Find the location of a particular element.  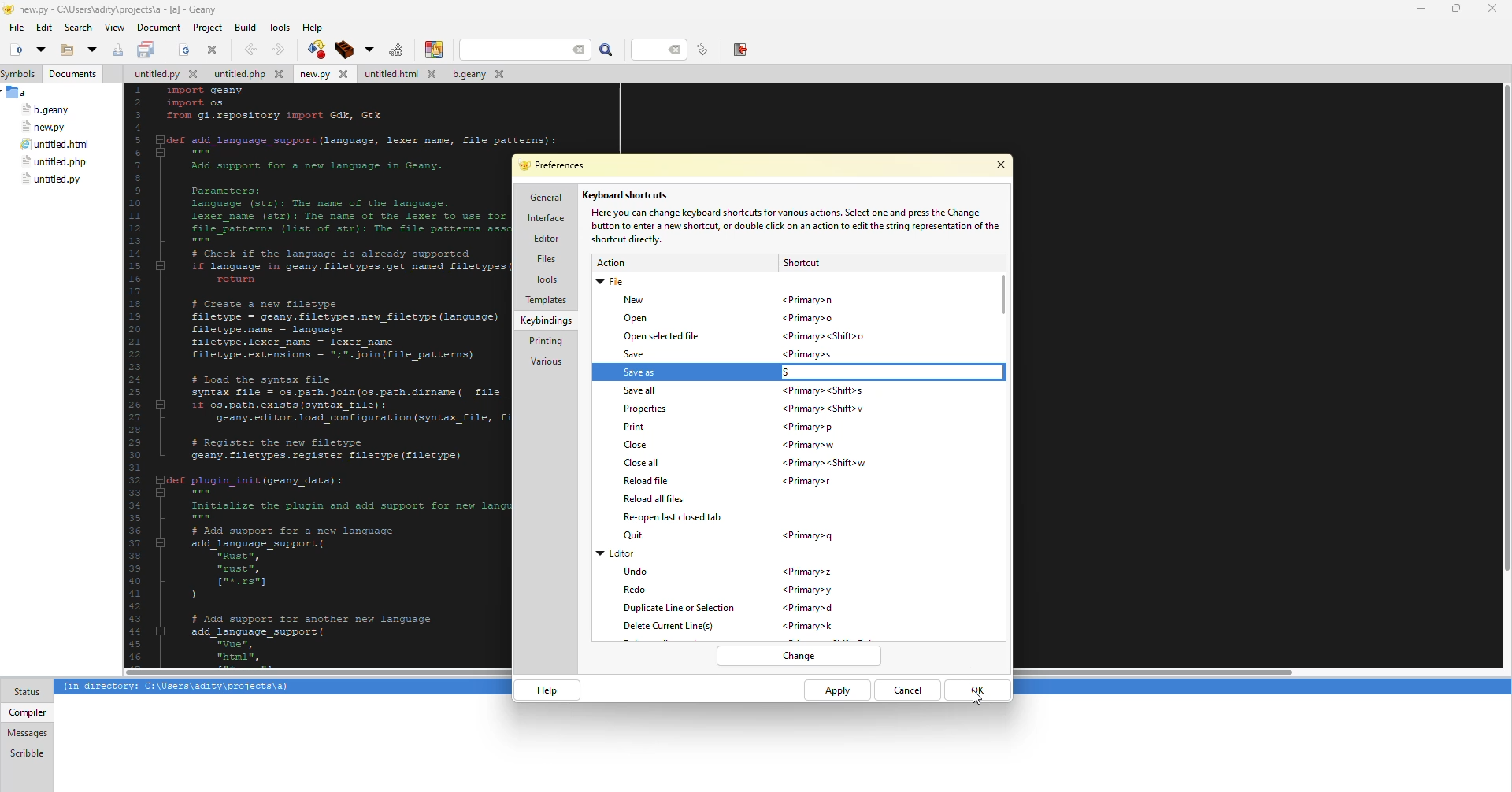

file is located at coordinates (55, 146).